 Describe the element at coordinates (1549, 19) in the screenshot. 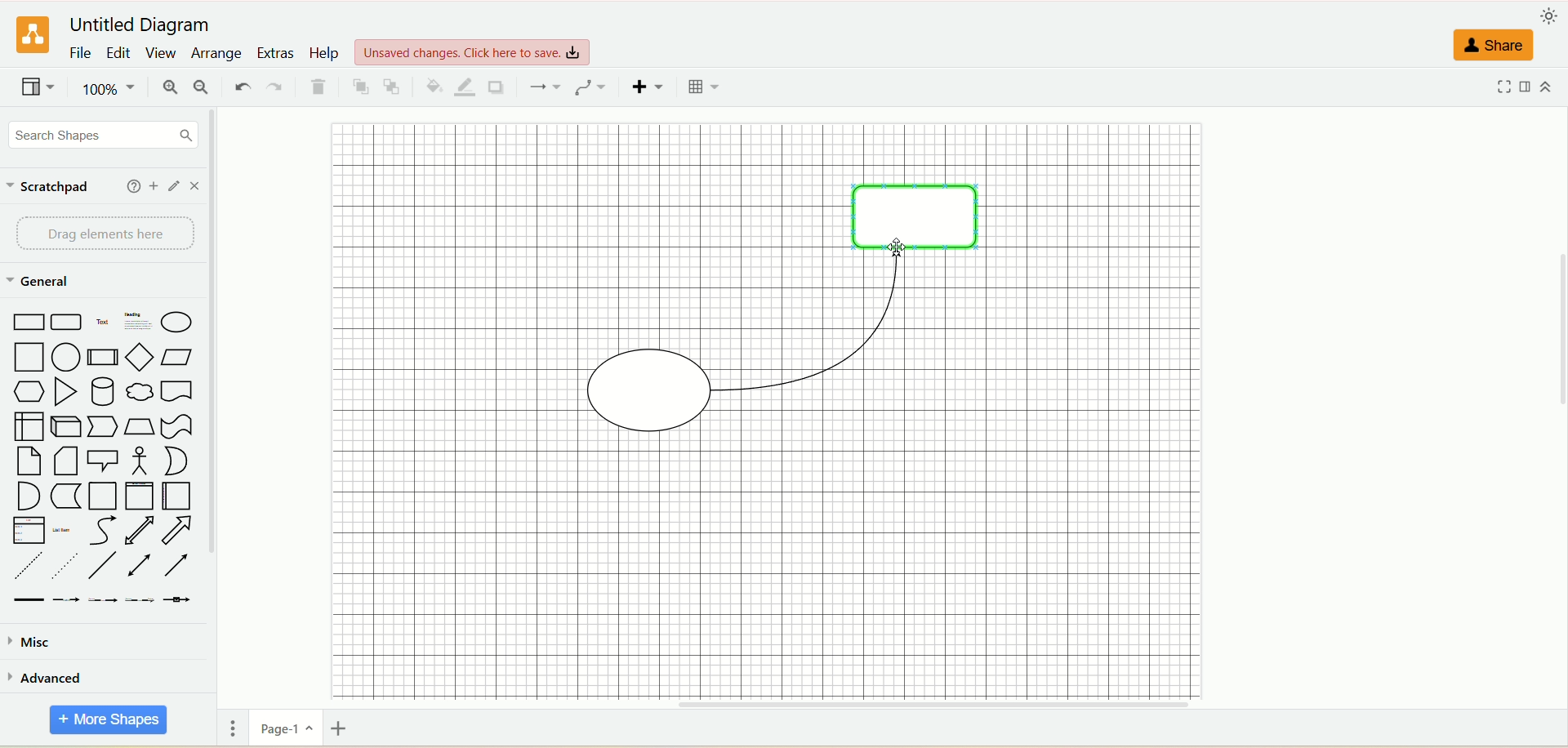

I see `appearance` at that location.